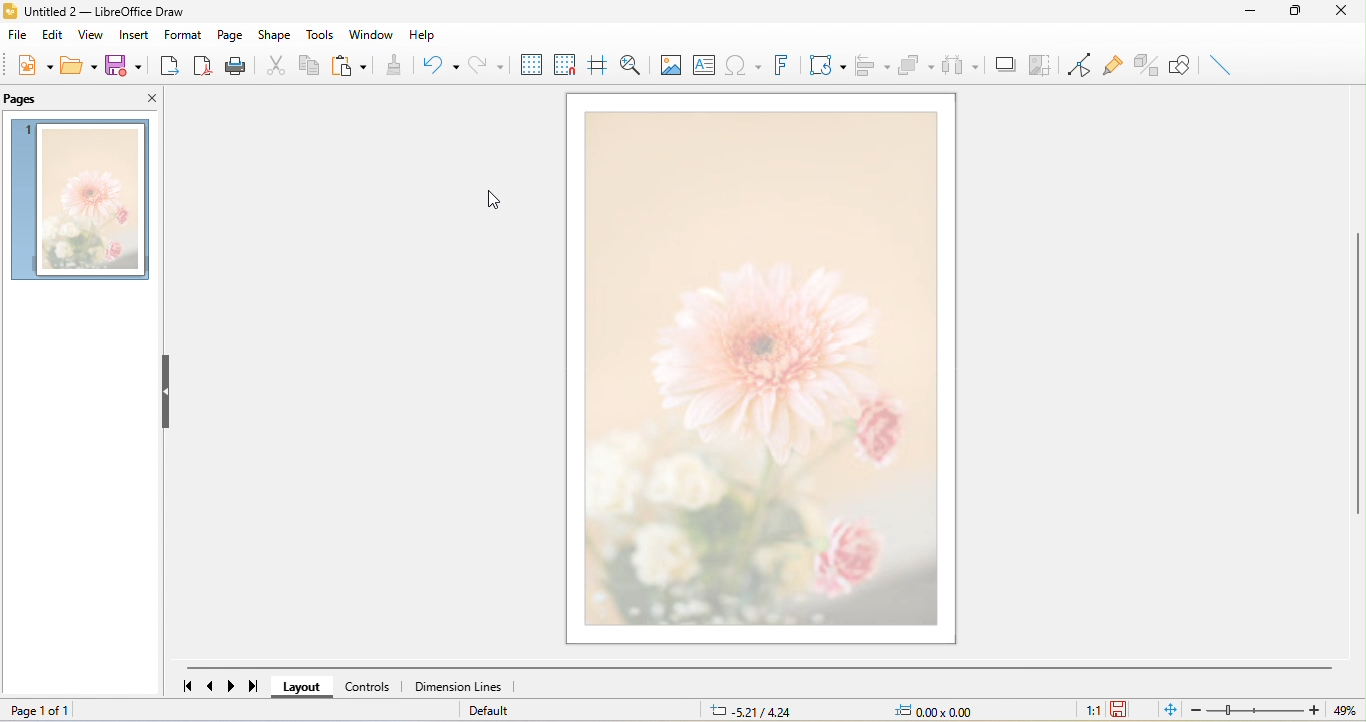  What do you see at coordinates (491, 200) in the screenshot?
I see `cursor` at bounding box center [491, 200].